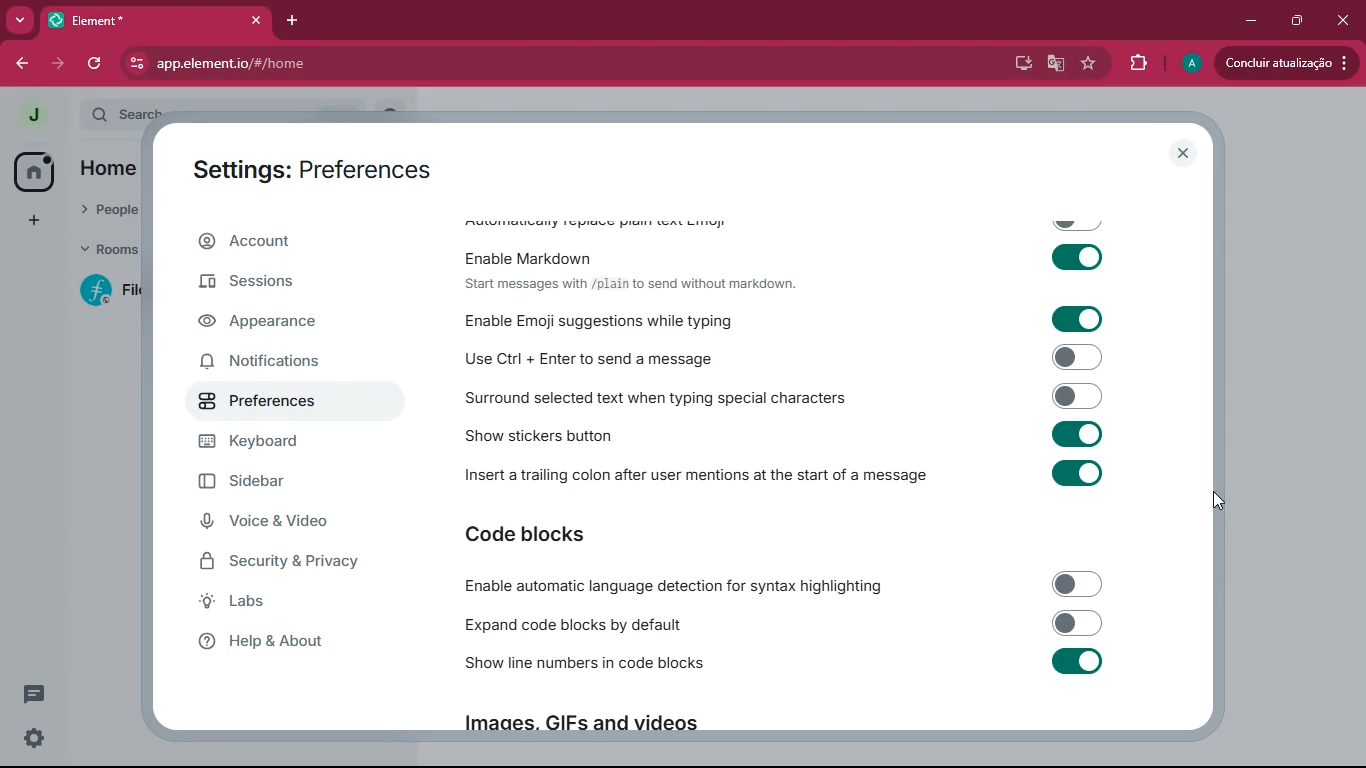 This screenshot has width=1366, height=768. I want to click on Enable automatic language detection for syntax highlighting, so click(785, 586).